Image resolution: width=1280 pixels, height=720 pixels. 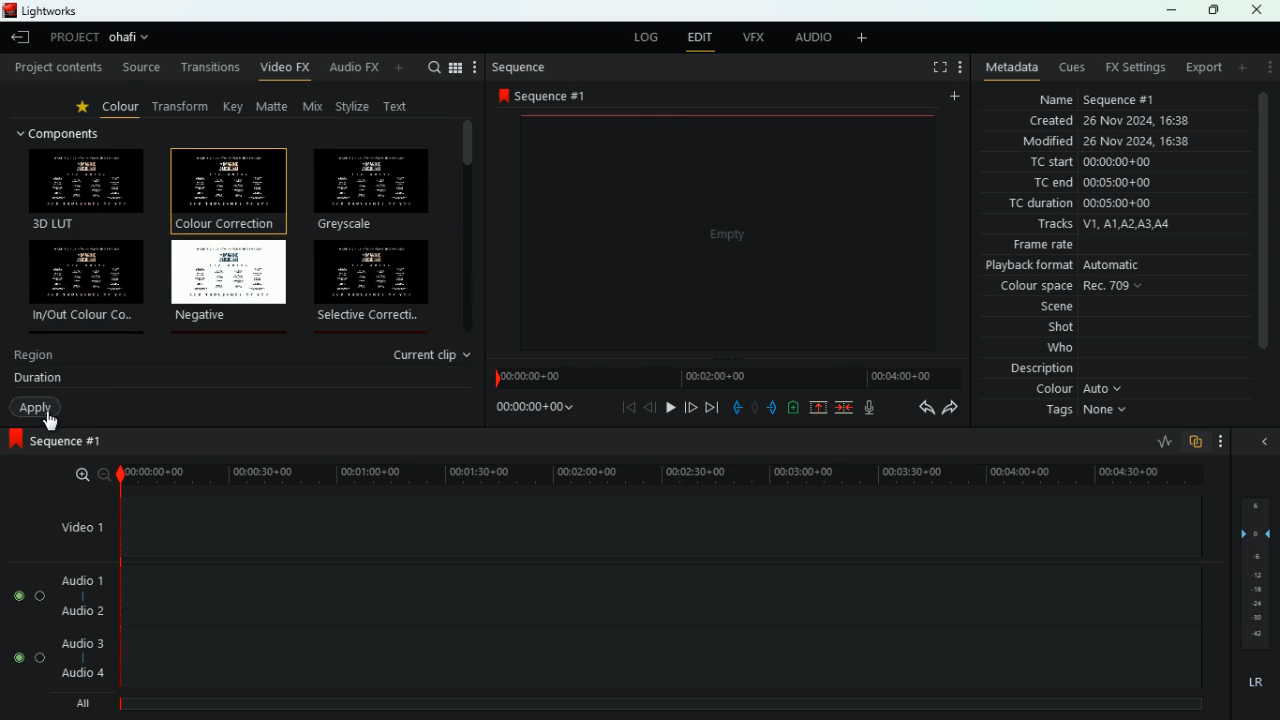 I want to click on maximize, so click(x=1212, y=11).